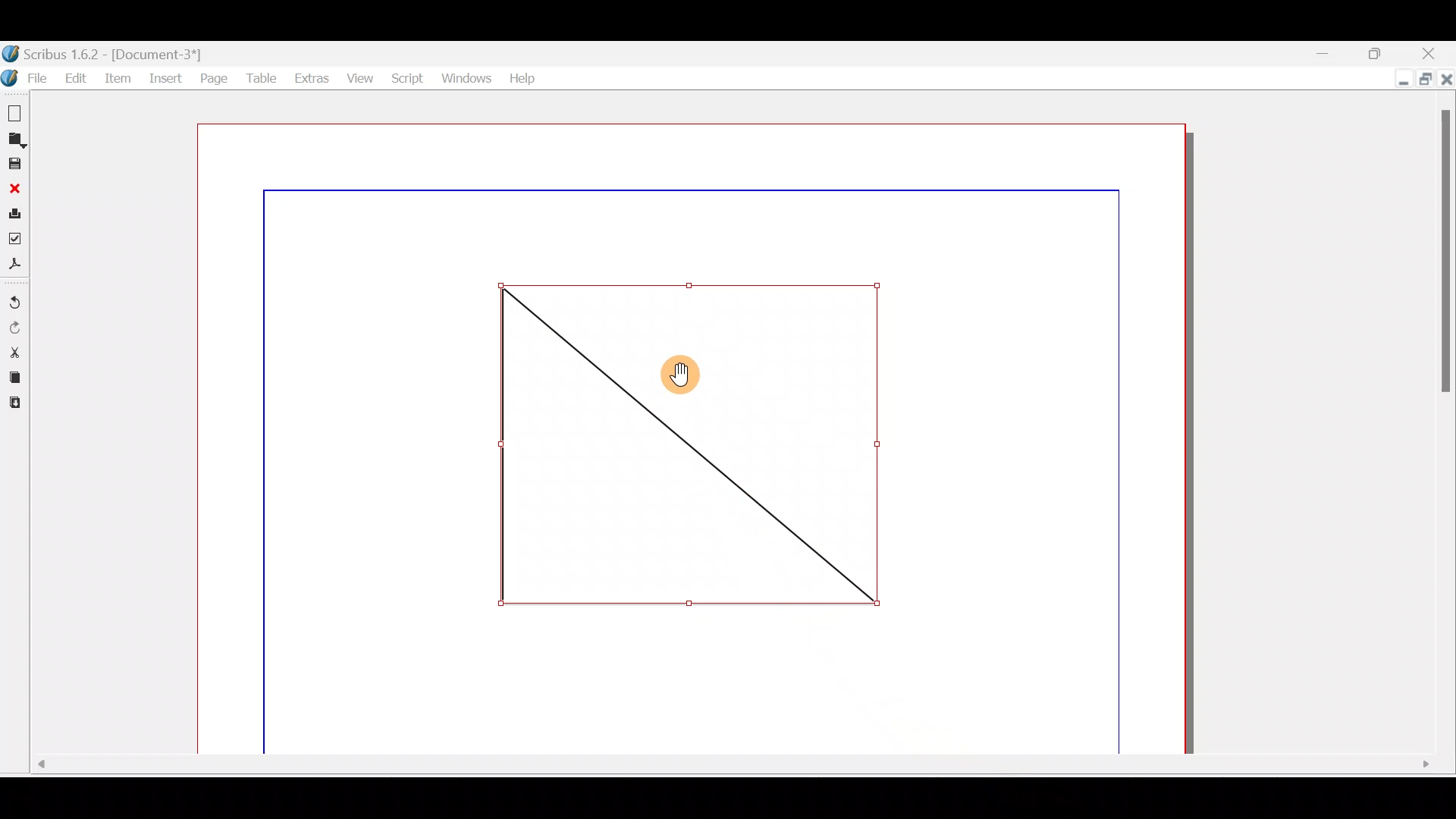 The image size is (1456, 819). What do you see at coordinates (15, 111) in the screenshot?
I see `New` at bounding box center [15, 111].